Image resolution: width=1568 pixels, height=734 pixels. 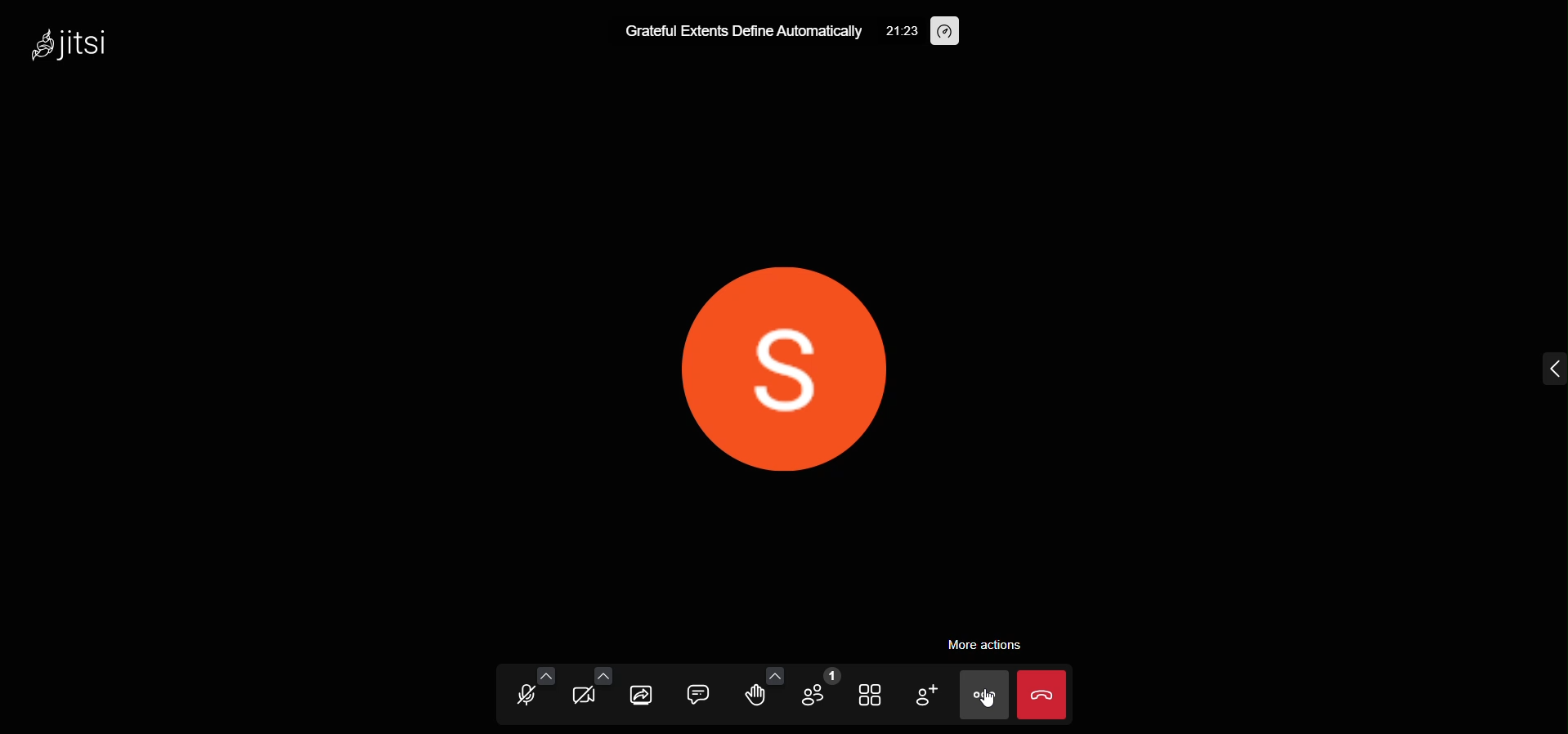 I want to click on display picture, so click(x=785, y=366).